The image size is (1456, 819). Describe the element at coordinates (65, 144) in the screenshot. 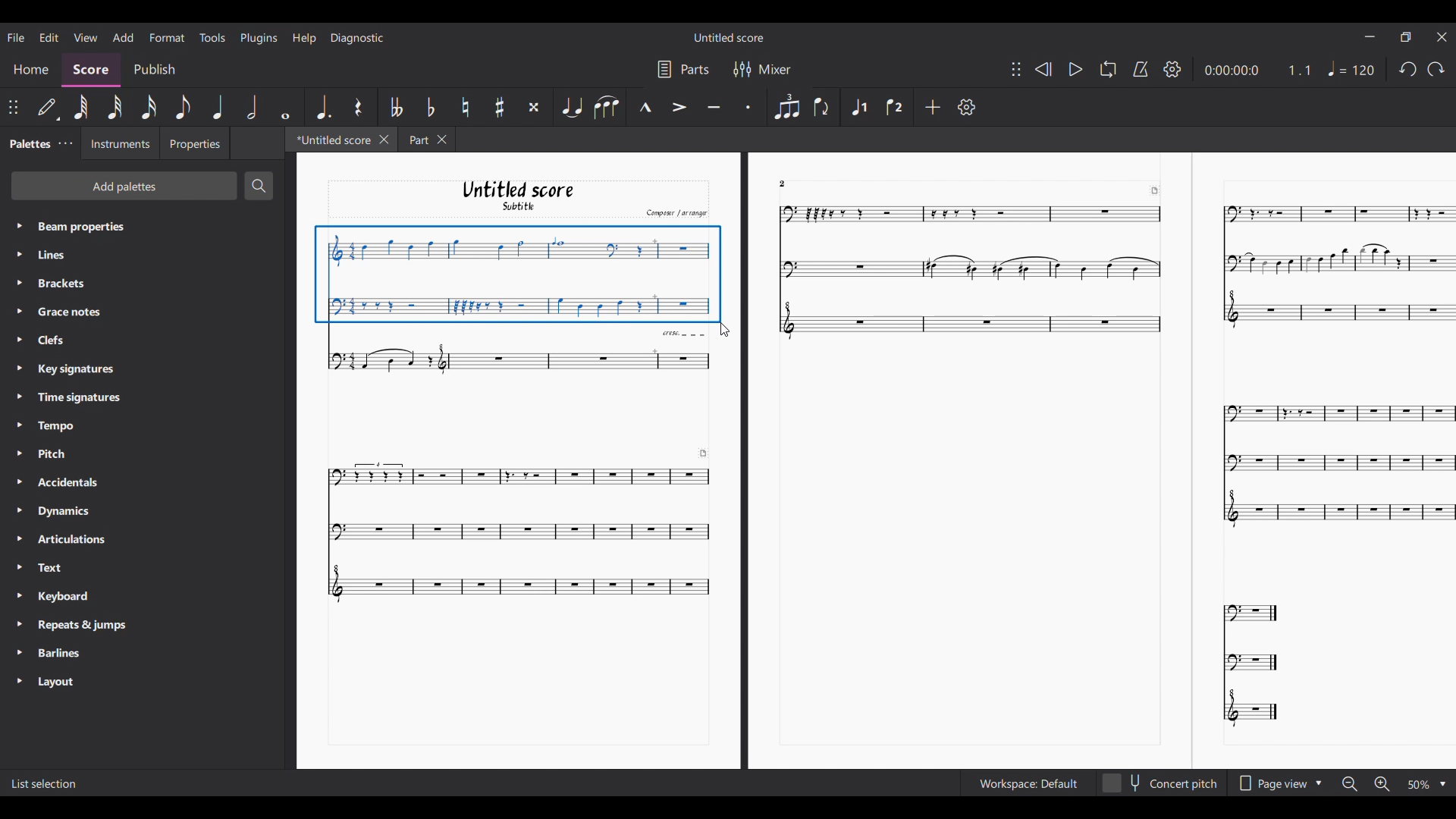

I see `Palette settings` at that location.